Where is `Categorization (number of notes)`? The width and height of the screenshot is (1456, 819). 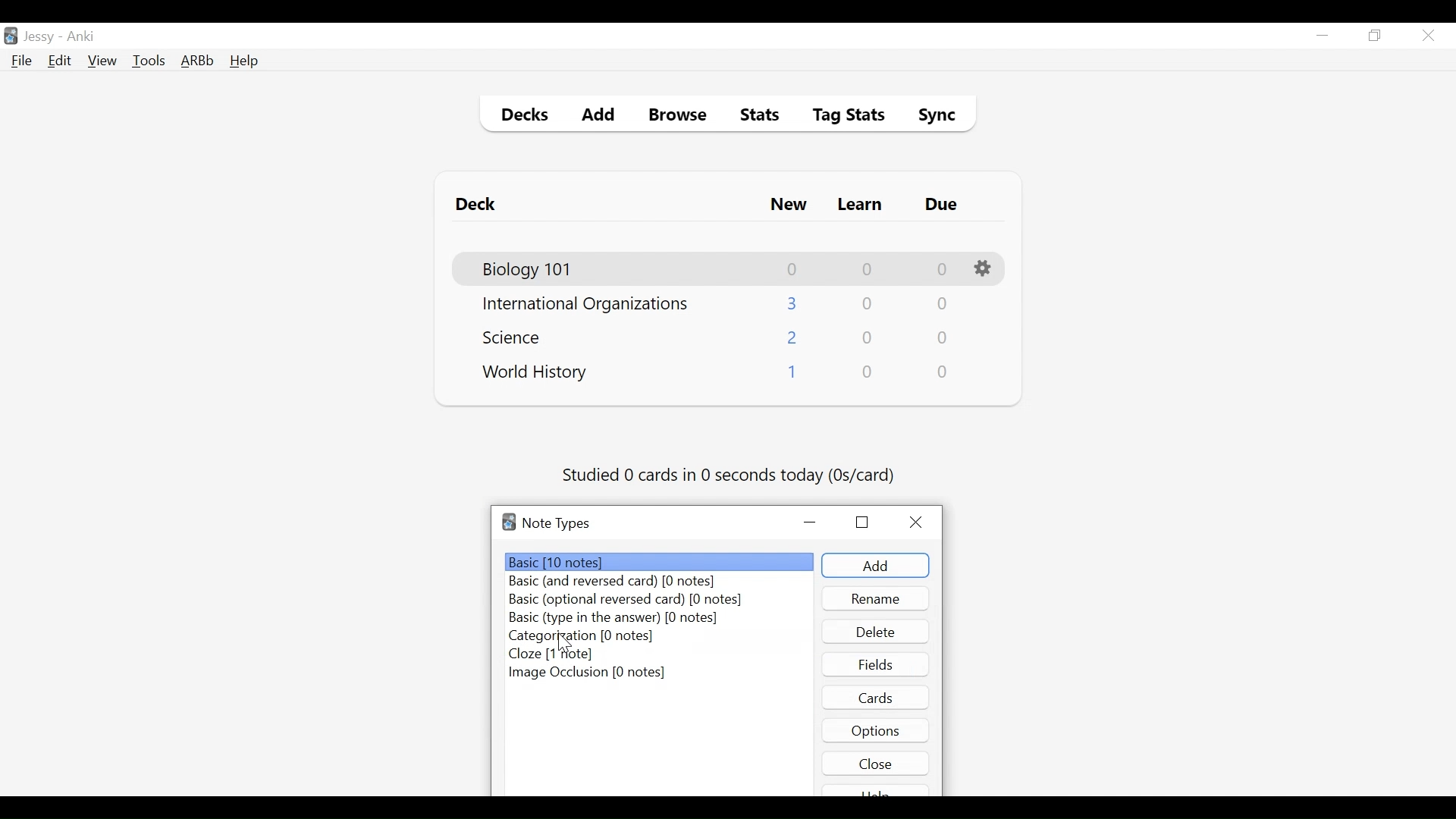 Categorization (number of notes) is located at coordinates (585, 636).